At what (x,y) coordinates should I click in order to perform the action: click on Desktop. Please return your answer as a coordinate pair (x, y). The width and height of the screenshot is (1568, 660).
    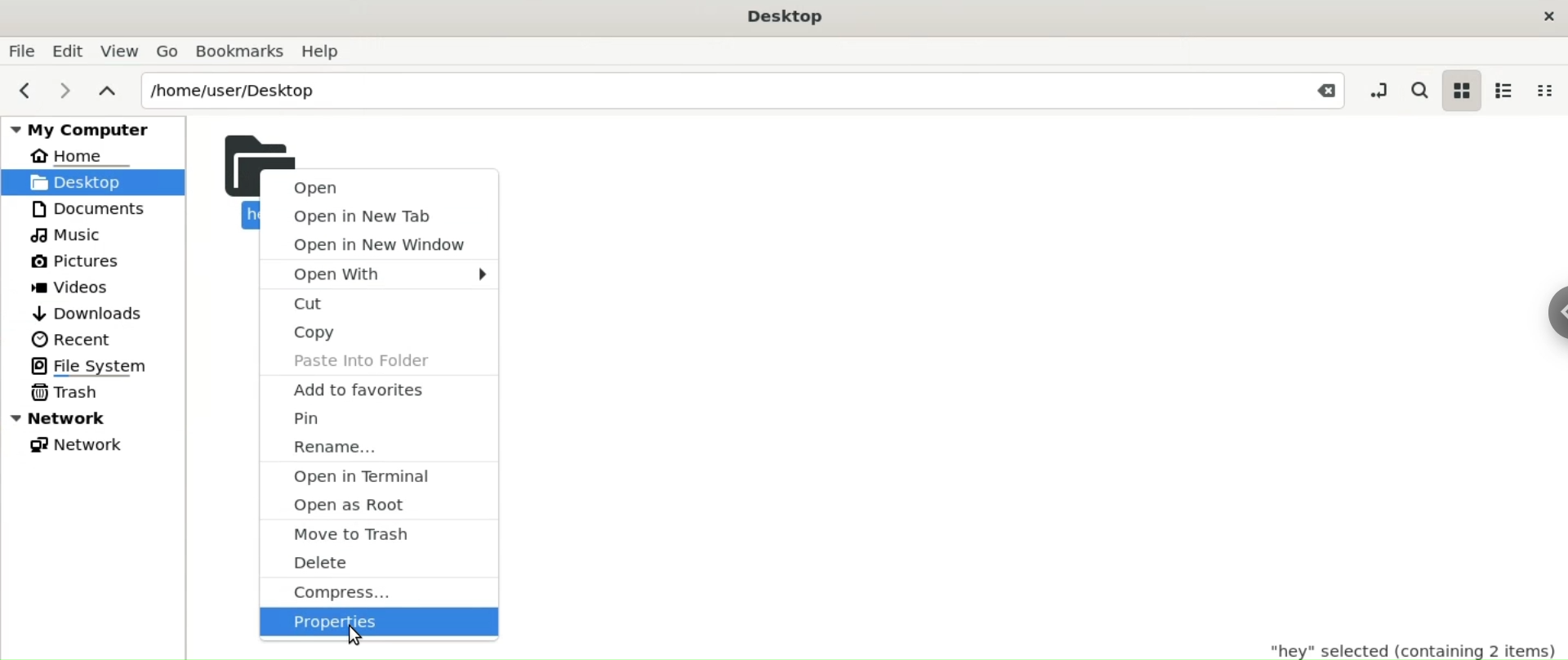
    Looking at the image, I should click on (95, 181).